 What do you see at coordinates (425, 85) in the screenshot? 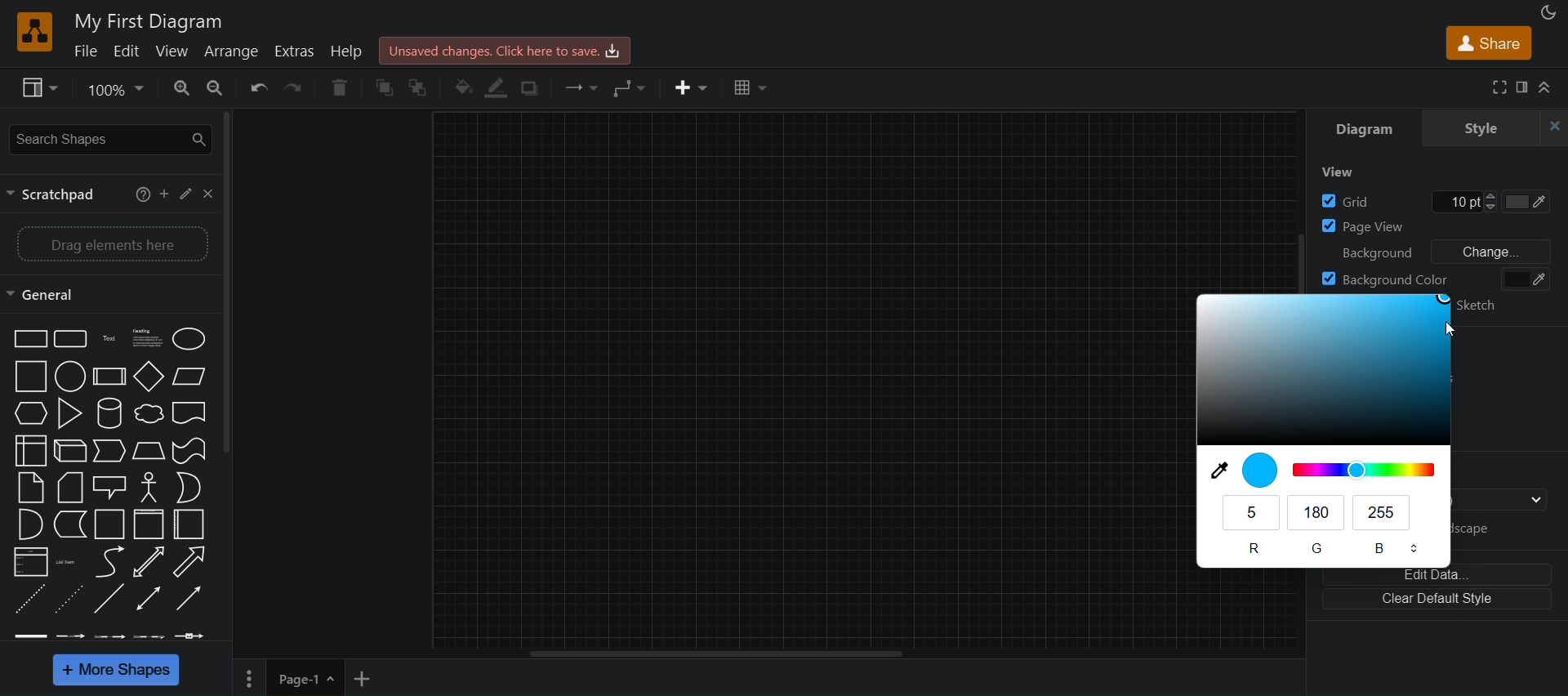
I see `to back` at bounding box center [425, 85].